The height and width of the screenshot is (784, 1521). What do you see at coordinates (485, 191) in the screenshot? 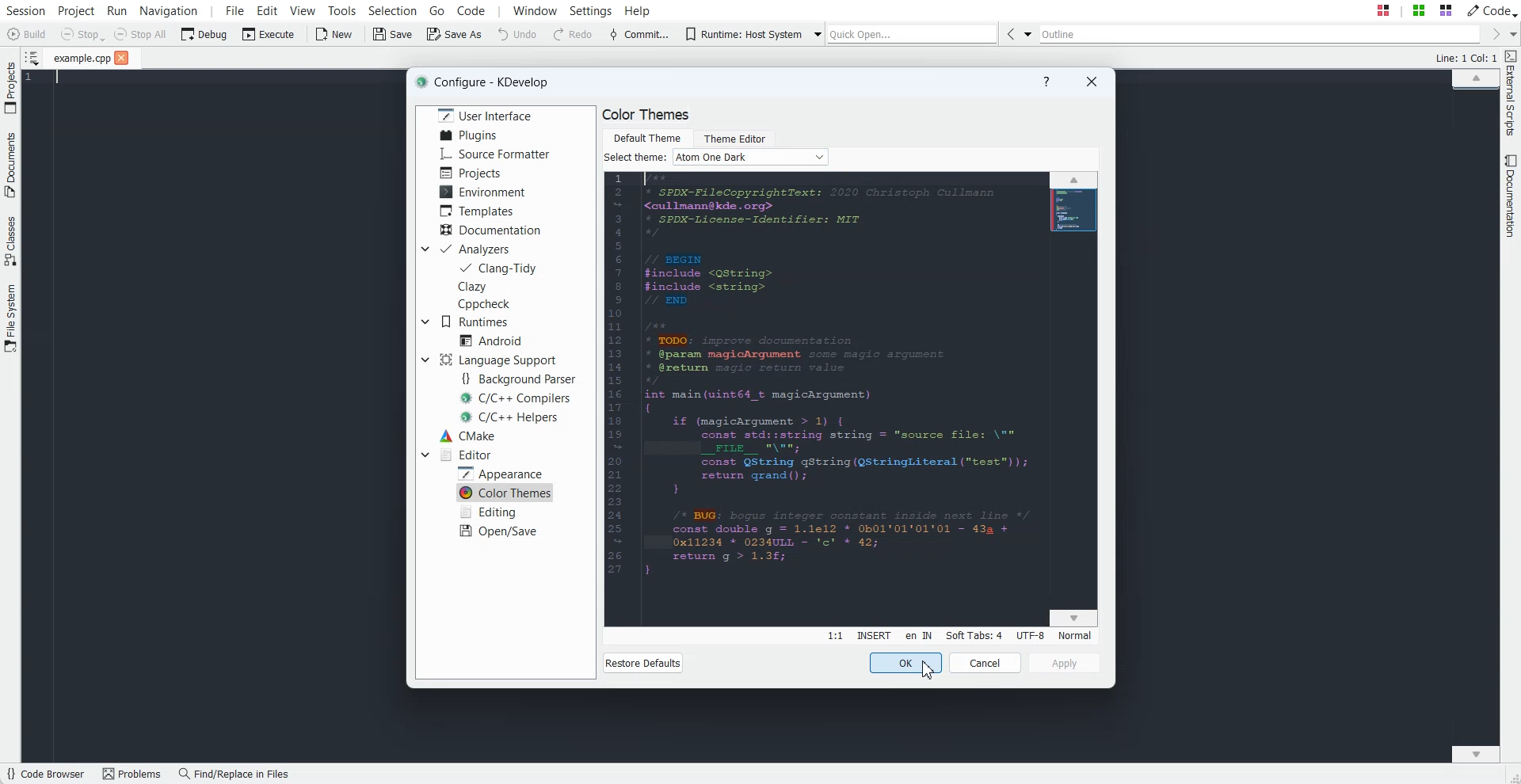
I see `Environment` at bounding box center [485, 191].